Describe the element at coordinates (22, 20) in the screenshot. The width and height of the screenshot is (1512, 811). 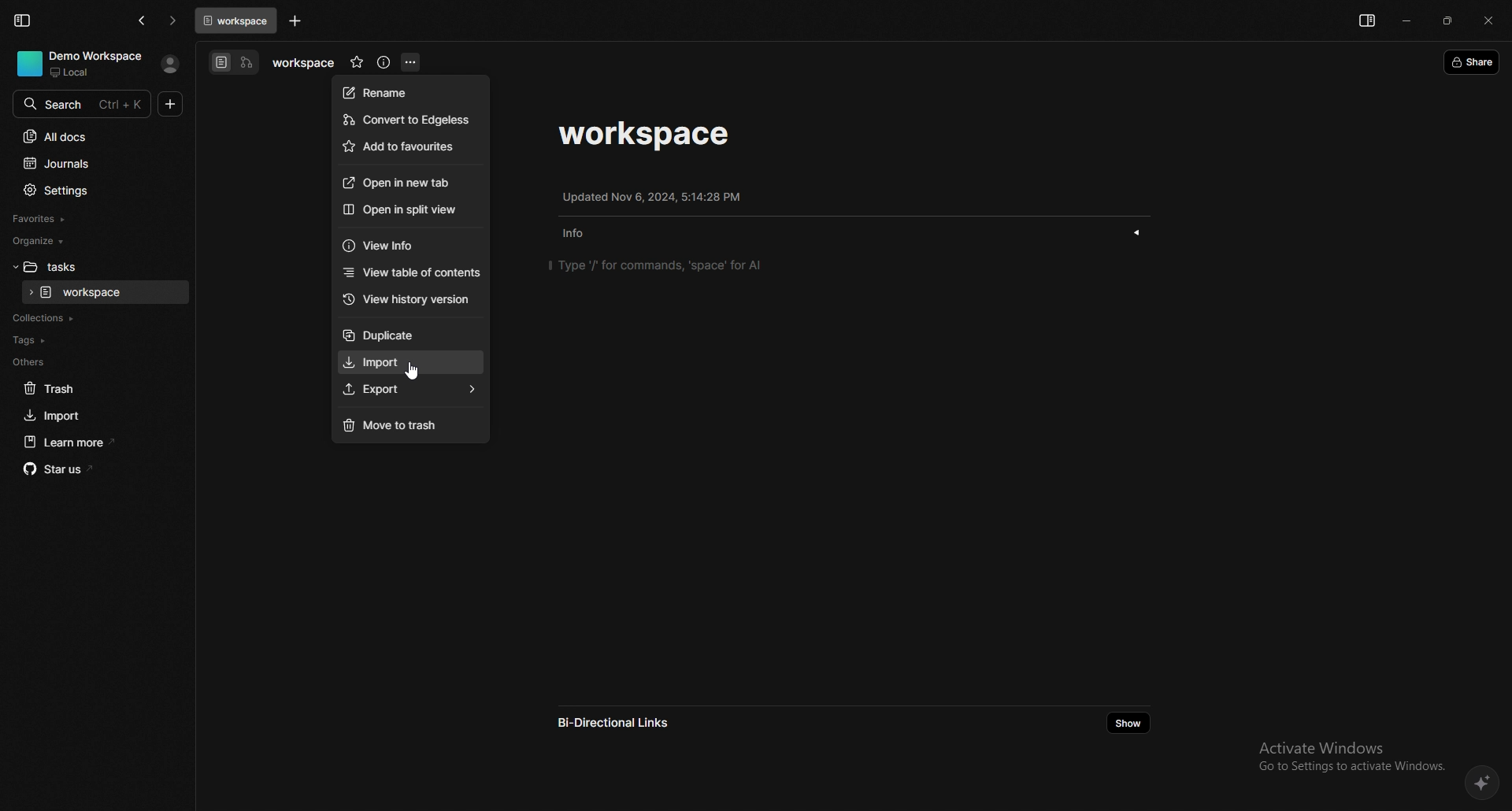
I see `collapse sidebar` at that location.